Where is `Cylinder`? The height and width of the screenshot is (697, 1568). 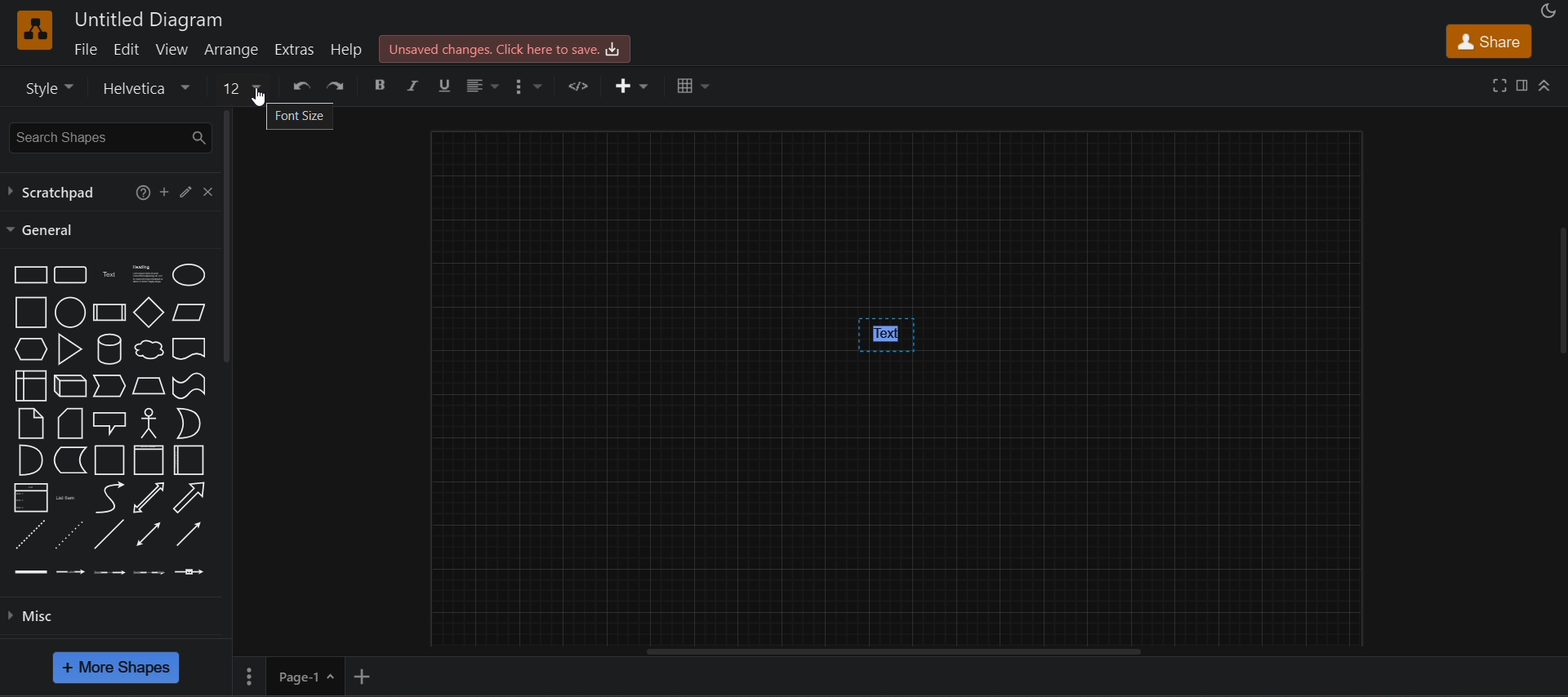
Cylinder is located at coordinates (109, 349).